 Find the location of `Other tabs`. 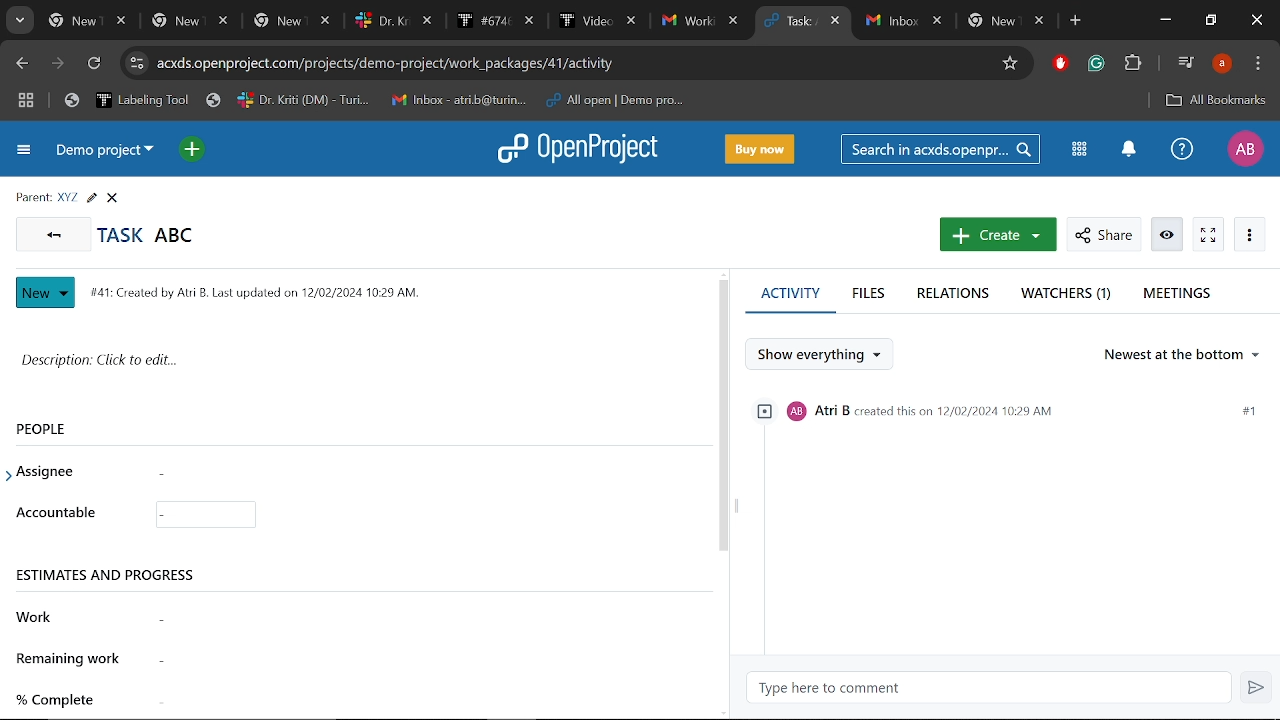

Other tabs is located at coordinates (959, 21).